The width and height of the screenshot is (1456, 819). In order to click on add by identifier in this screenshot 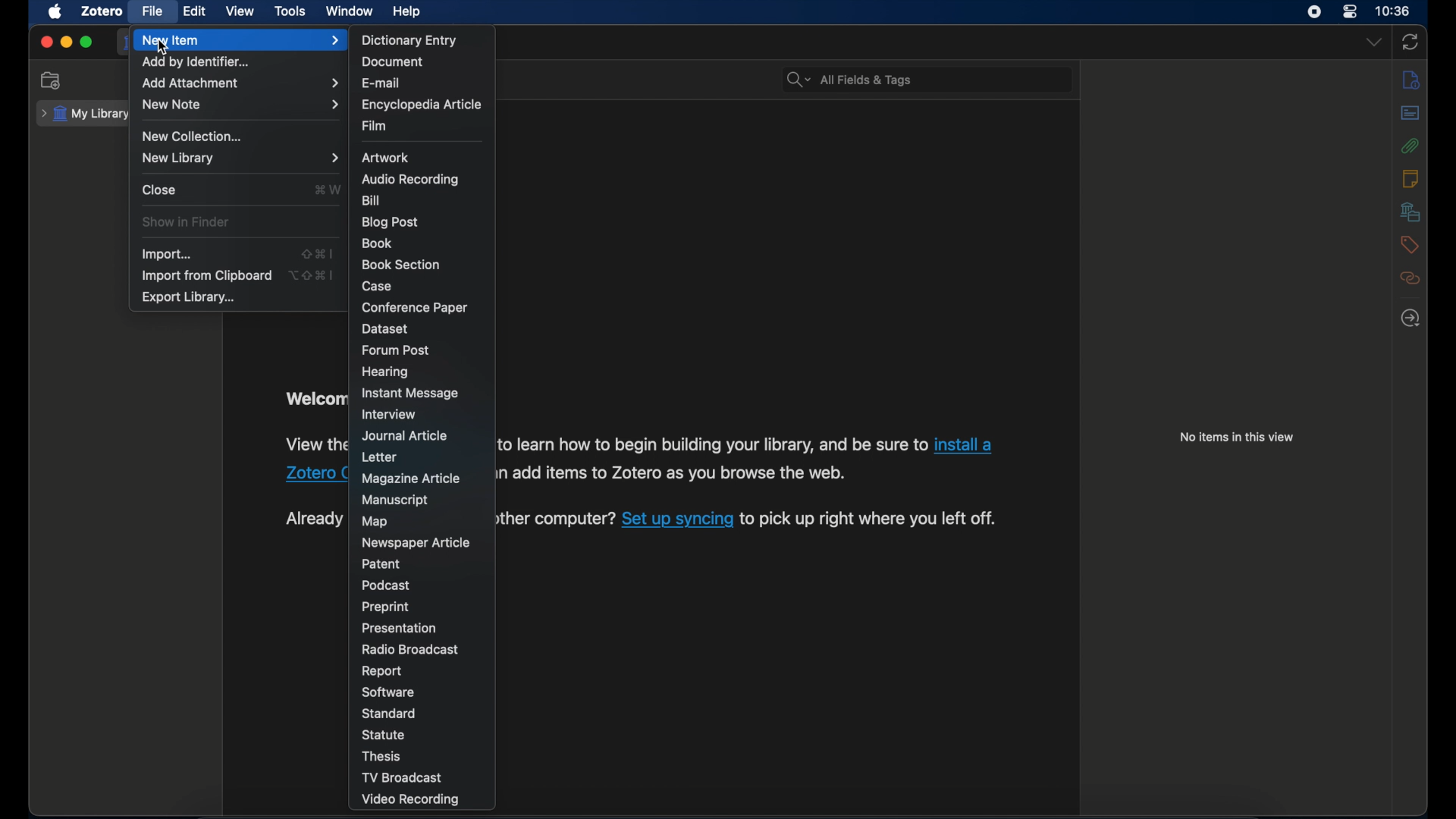, I will do `click(195, 62)`.